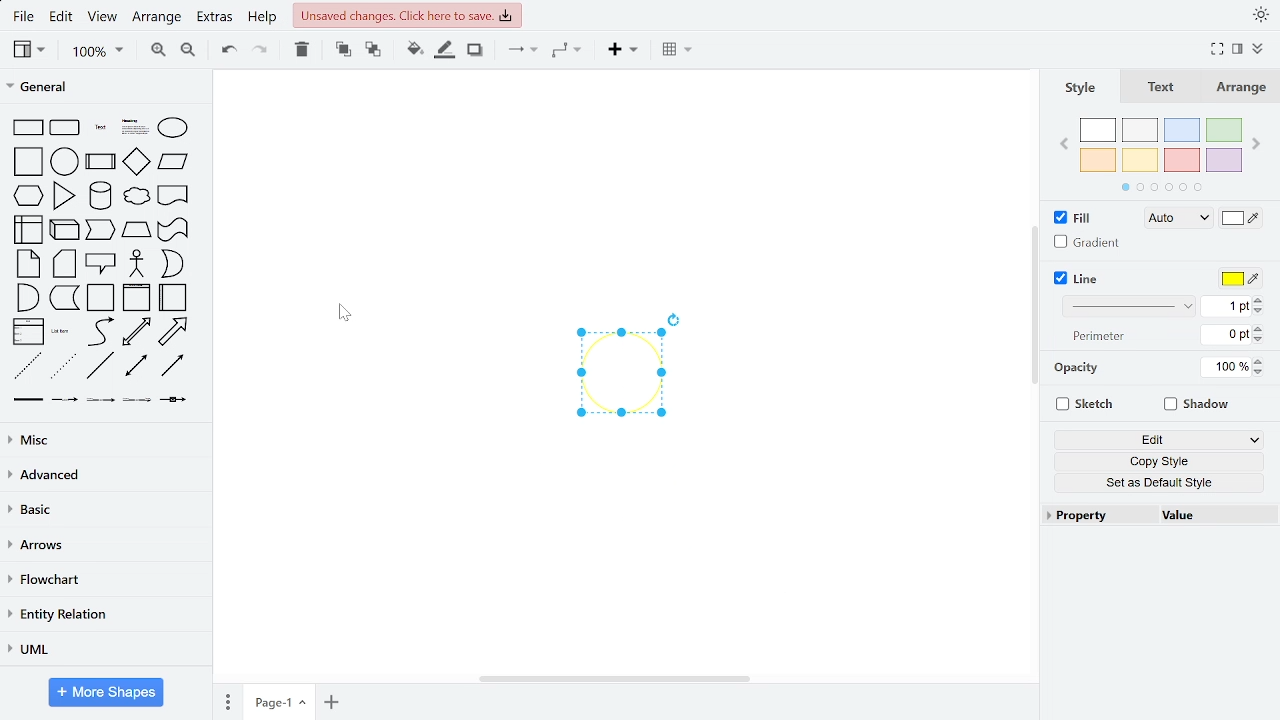 The width and height of the screenshot is (1280, 720). I want to click on line color, so click(1238, 280).